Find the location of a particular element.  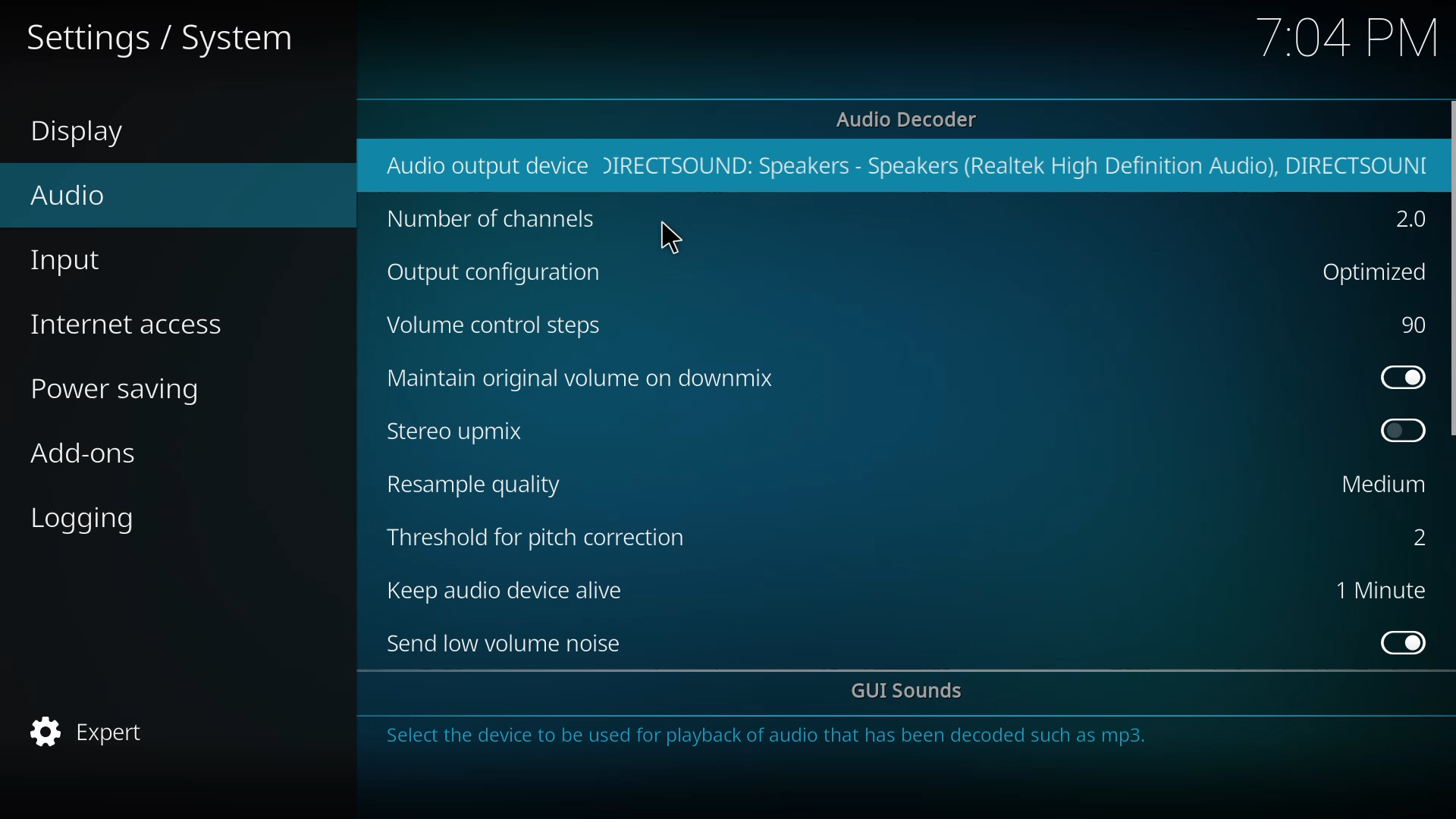

medium is located at coordinates (1384, 483).